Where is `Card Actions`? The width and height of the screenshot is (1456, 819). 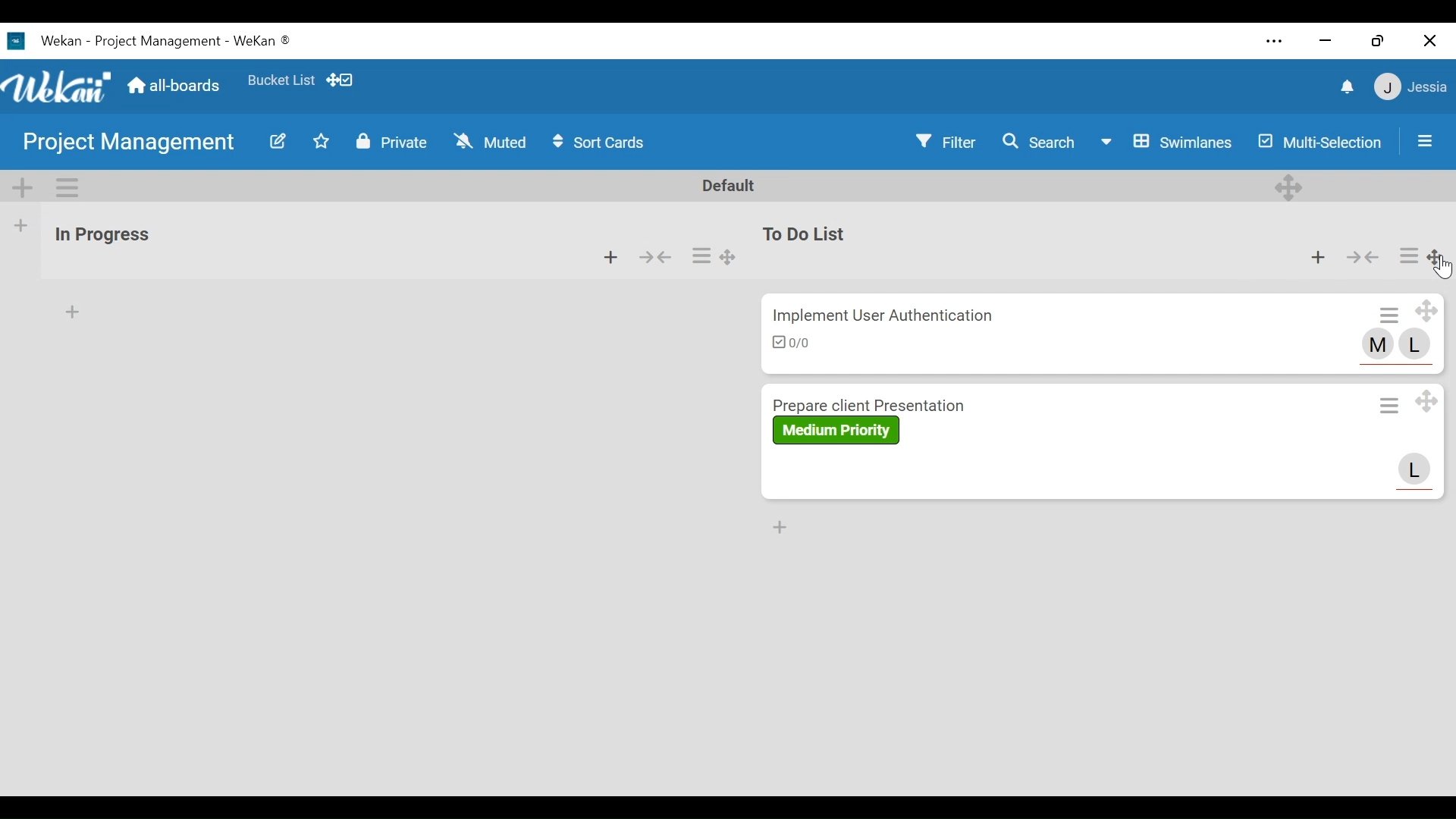
Card Actions is located at coordinates (1387, 404).